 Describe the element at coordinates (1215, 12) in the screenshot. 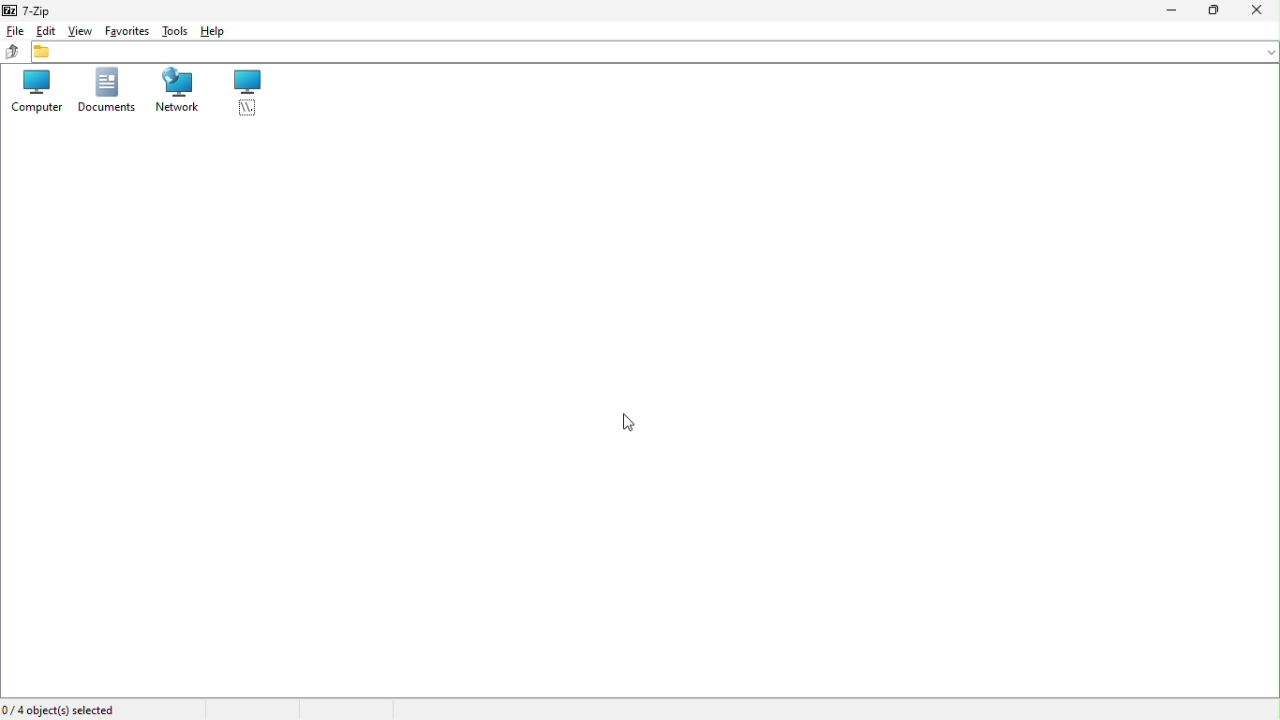

I see `Restore` at that location.